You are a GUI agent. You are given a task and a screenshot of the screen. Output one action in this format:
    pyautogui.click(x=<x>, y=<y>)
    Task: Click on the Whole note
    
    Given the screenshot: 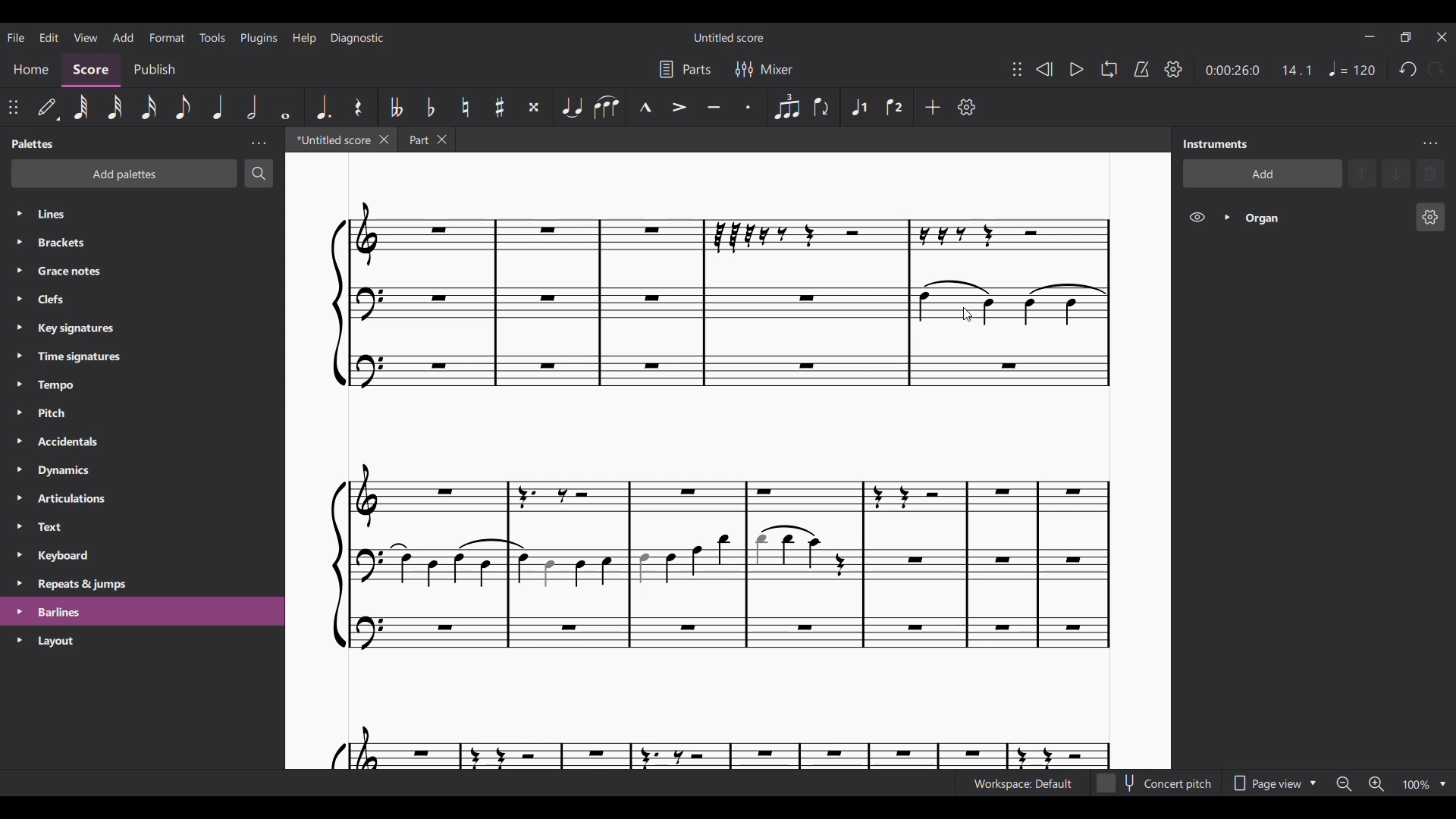 What is the action you would take?
    pyautogui.click(x=286, y=107)
    